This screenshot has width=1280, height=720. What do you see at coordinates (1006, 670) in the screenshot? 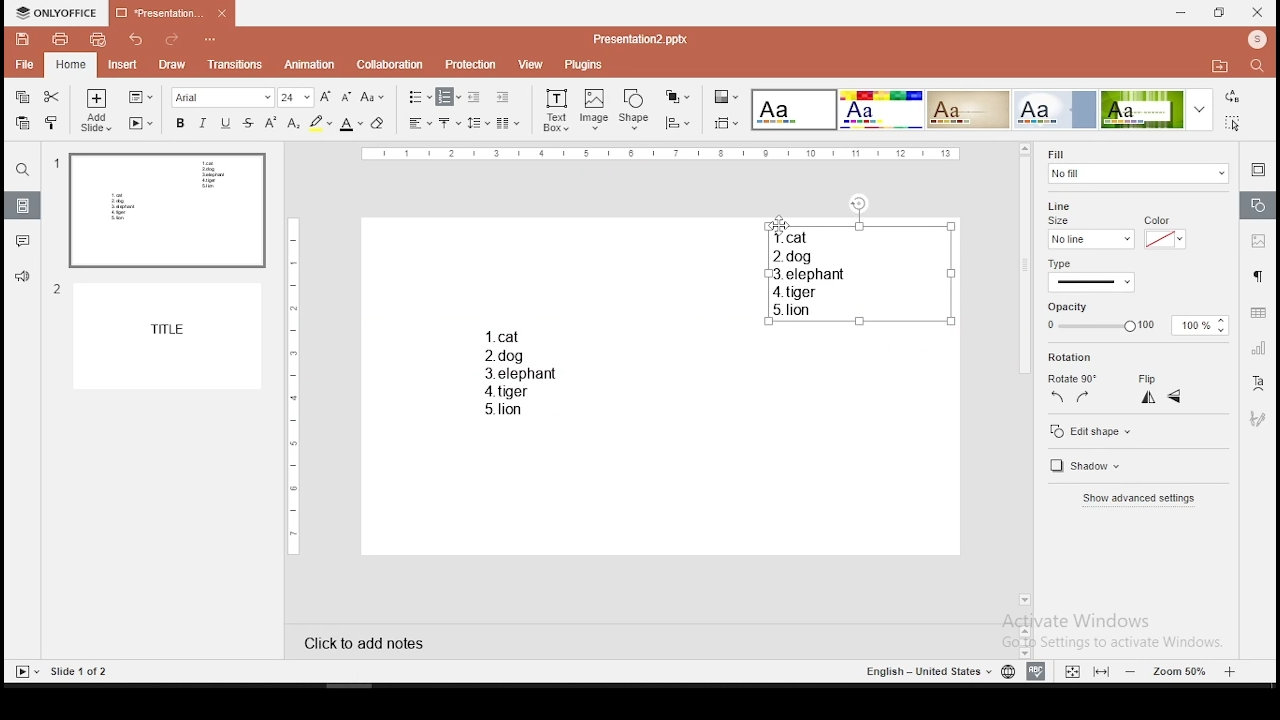
I see `language` at bounding box center [1006, 670].